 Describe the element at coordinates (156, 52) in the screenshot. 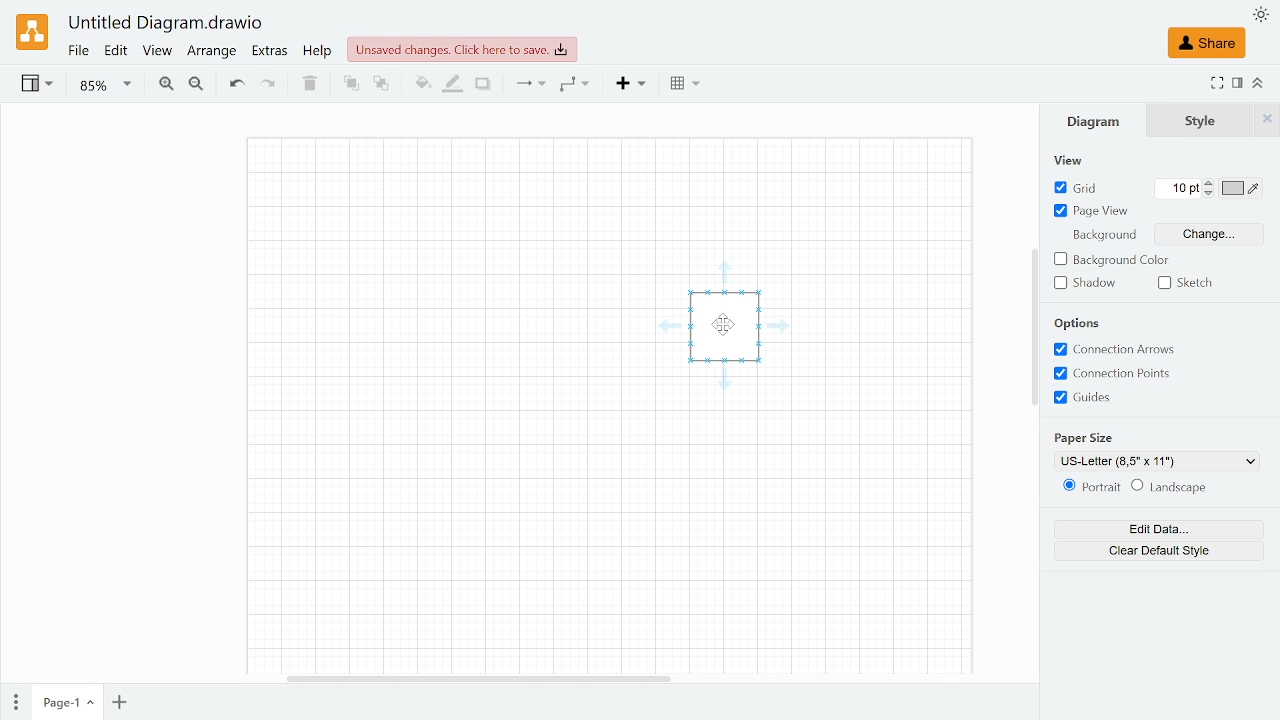

I see `View` at that location.